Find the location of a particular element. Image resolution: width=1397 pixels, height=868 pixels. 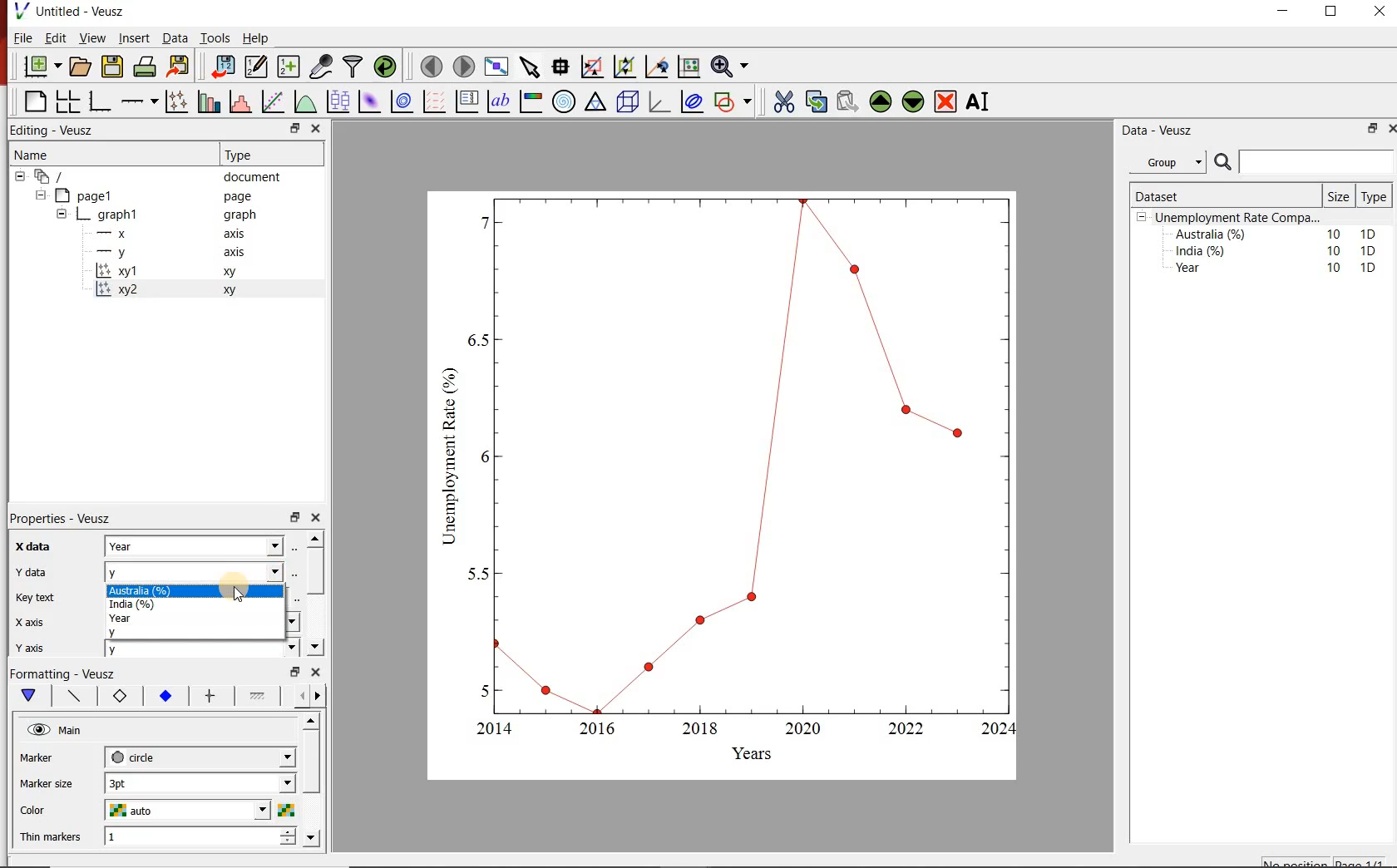

auto is located at coordinates (190, 811).